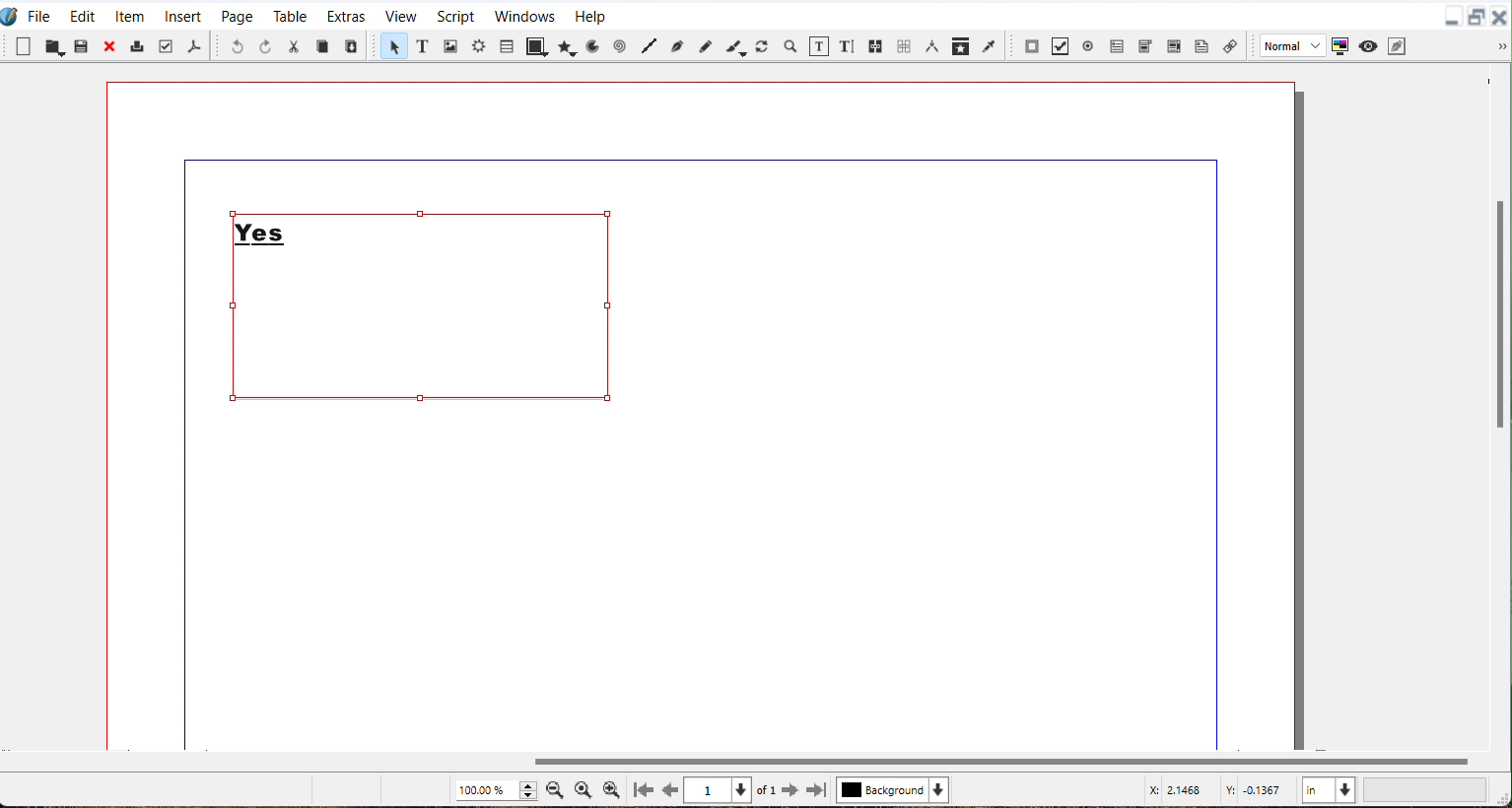 This screenshot has height=808, width=1512. Describe the element at coordinates (456, 15) in the screenshot. I see `Script` at that location.